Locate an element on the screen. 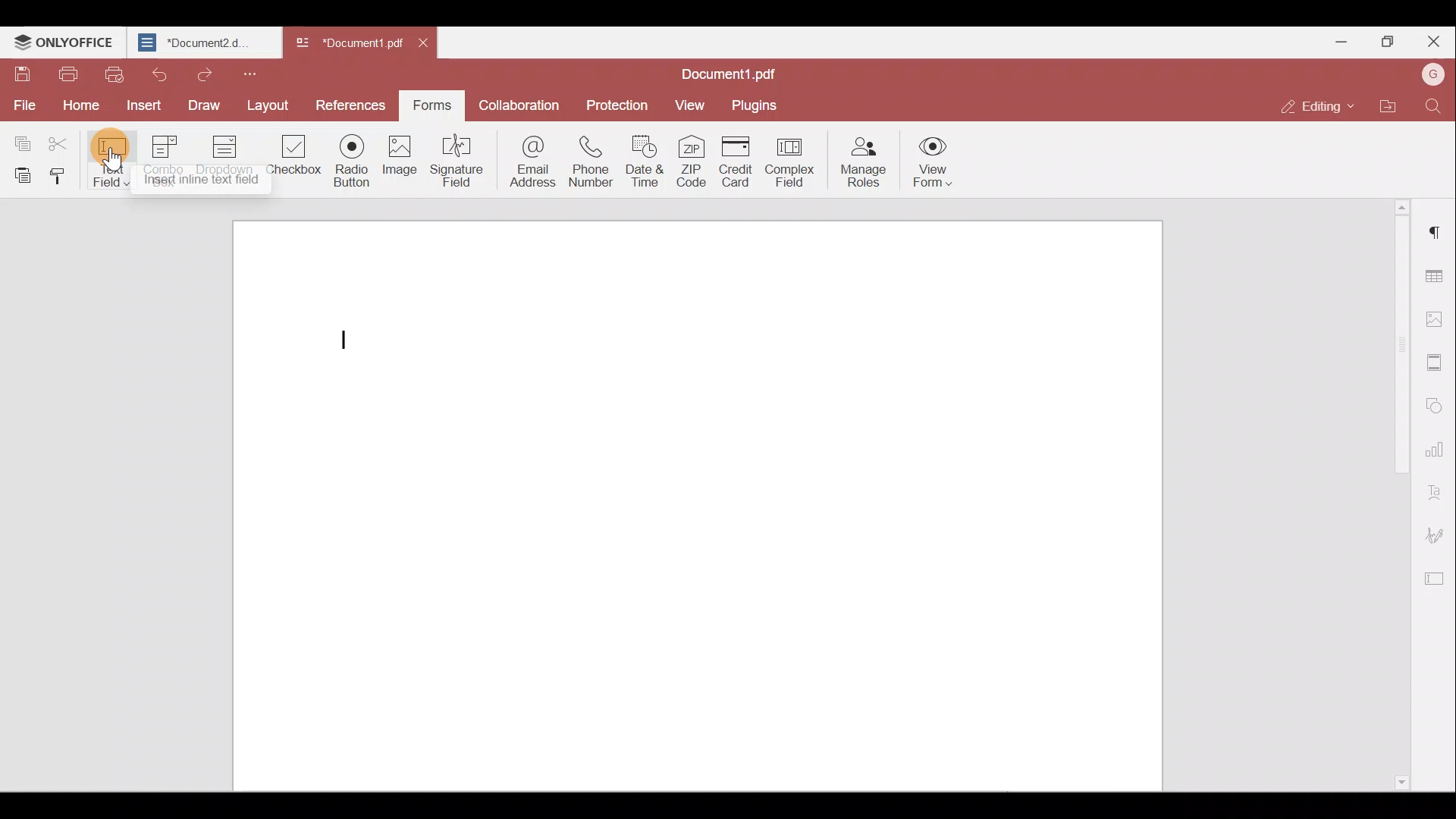 This screenshot has height=819, width=1456. Find is located at coordinates (1432, 108).